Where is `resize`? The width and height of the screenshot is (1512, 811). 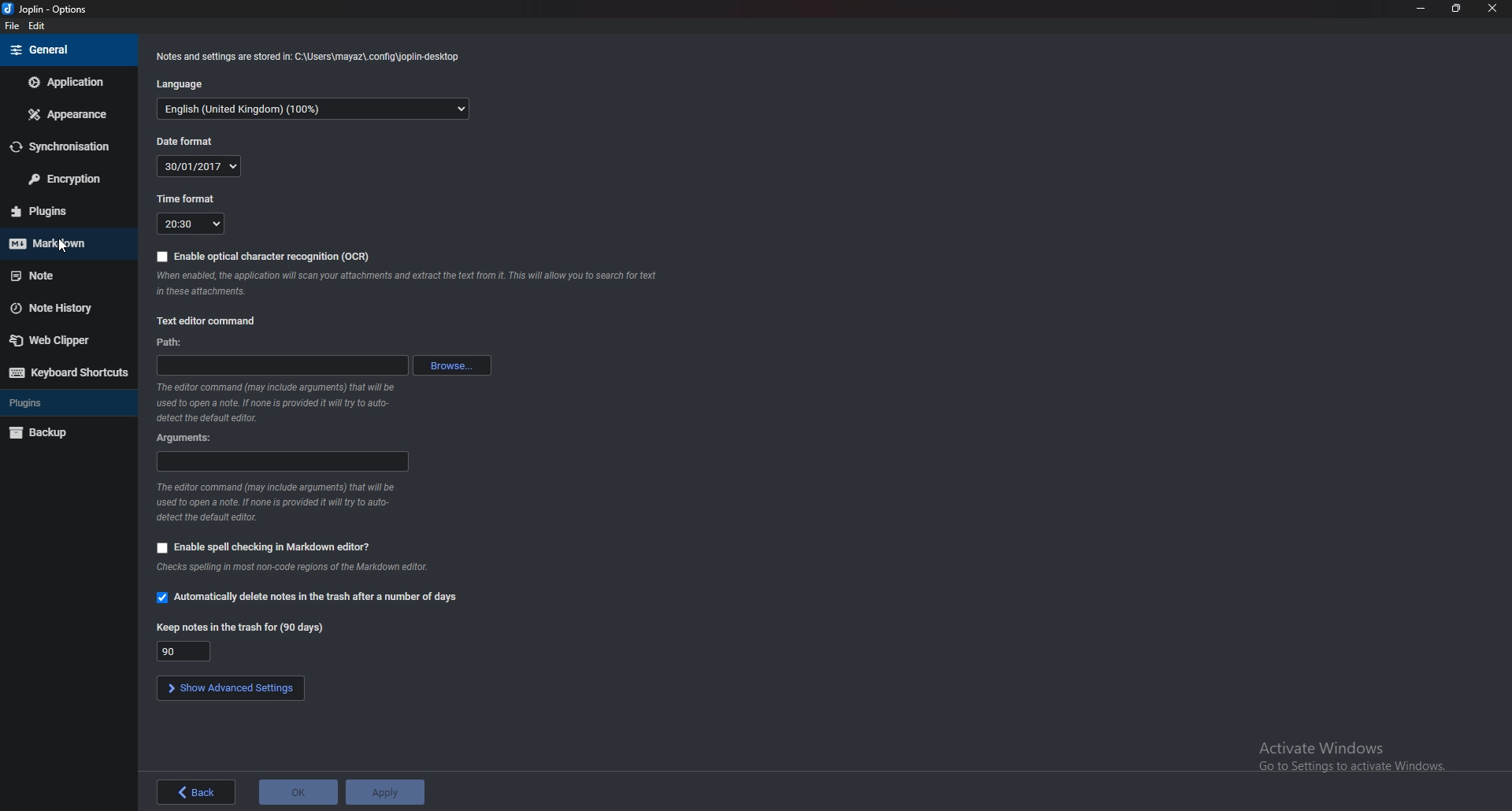
resize is located at coordinates (1457, 9).